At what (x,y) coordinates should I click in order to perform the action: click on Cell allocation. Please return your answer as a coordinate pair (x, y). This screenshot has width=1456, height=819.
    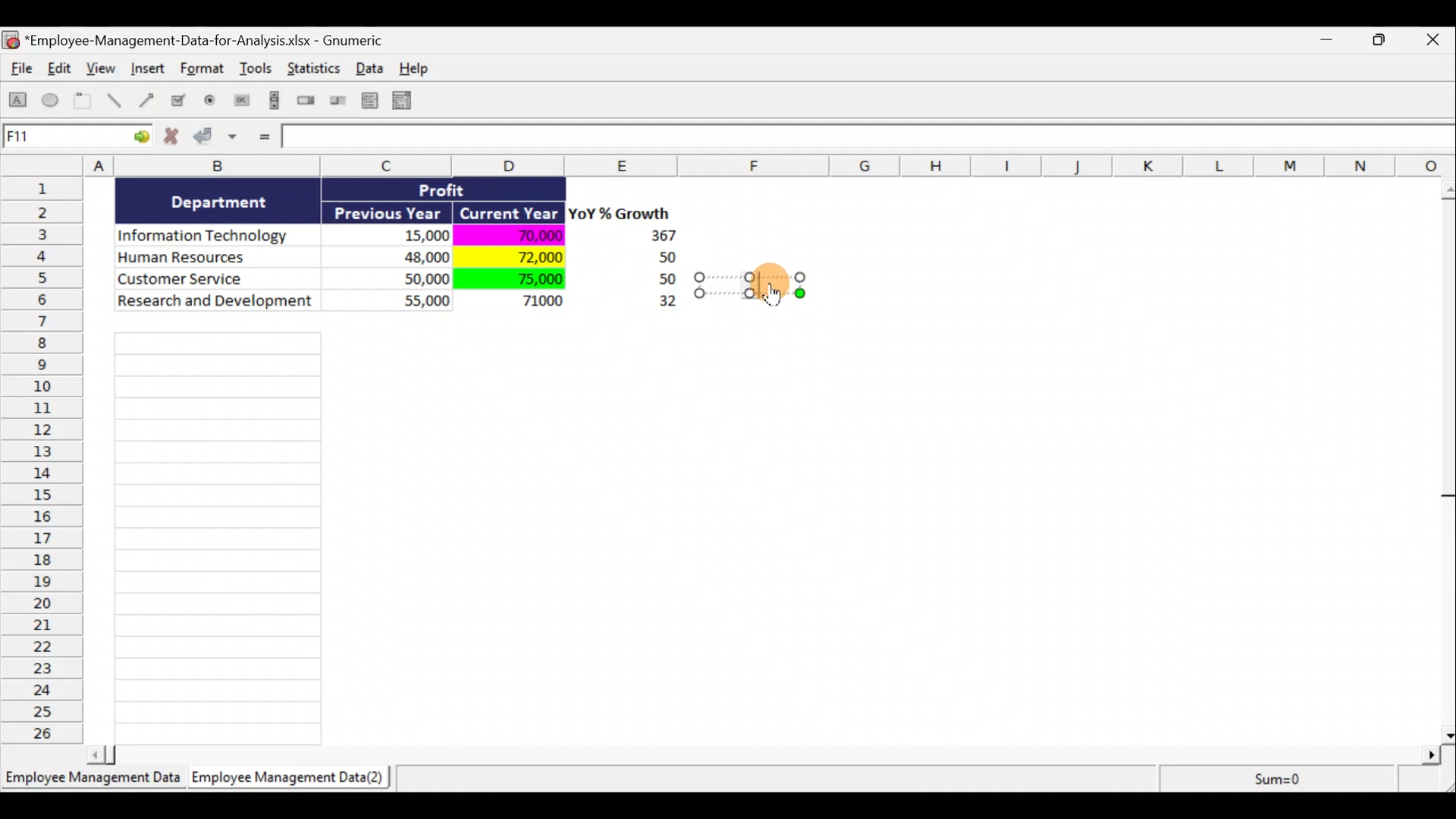
    Looking at the image, I should click on (77, 139).